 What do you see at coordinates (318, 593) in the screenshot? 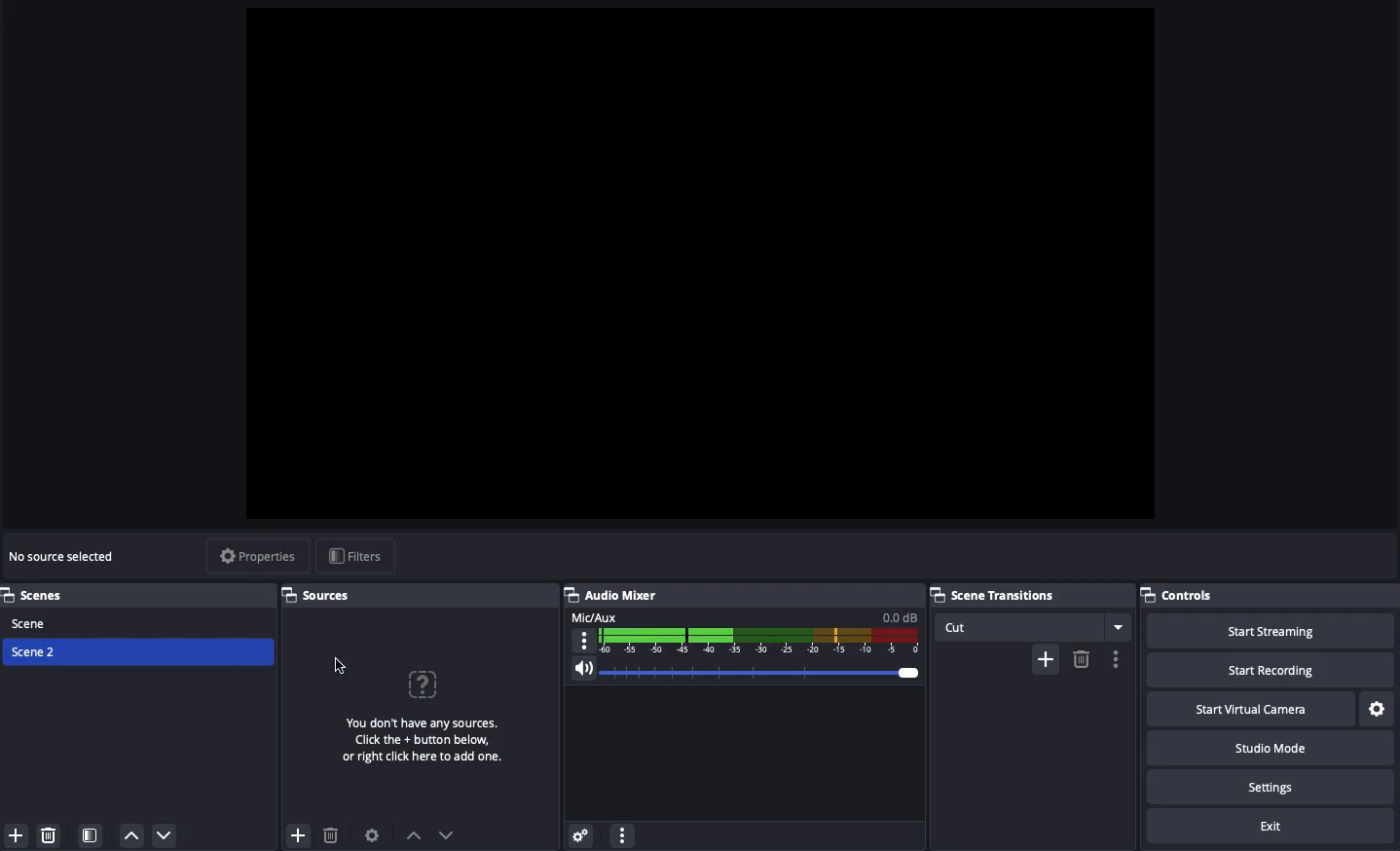
I see `Sources` at bounding box center [318, 593].